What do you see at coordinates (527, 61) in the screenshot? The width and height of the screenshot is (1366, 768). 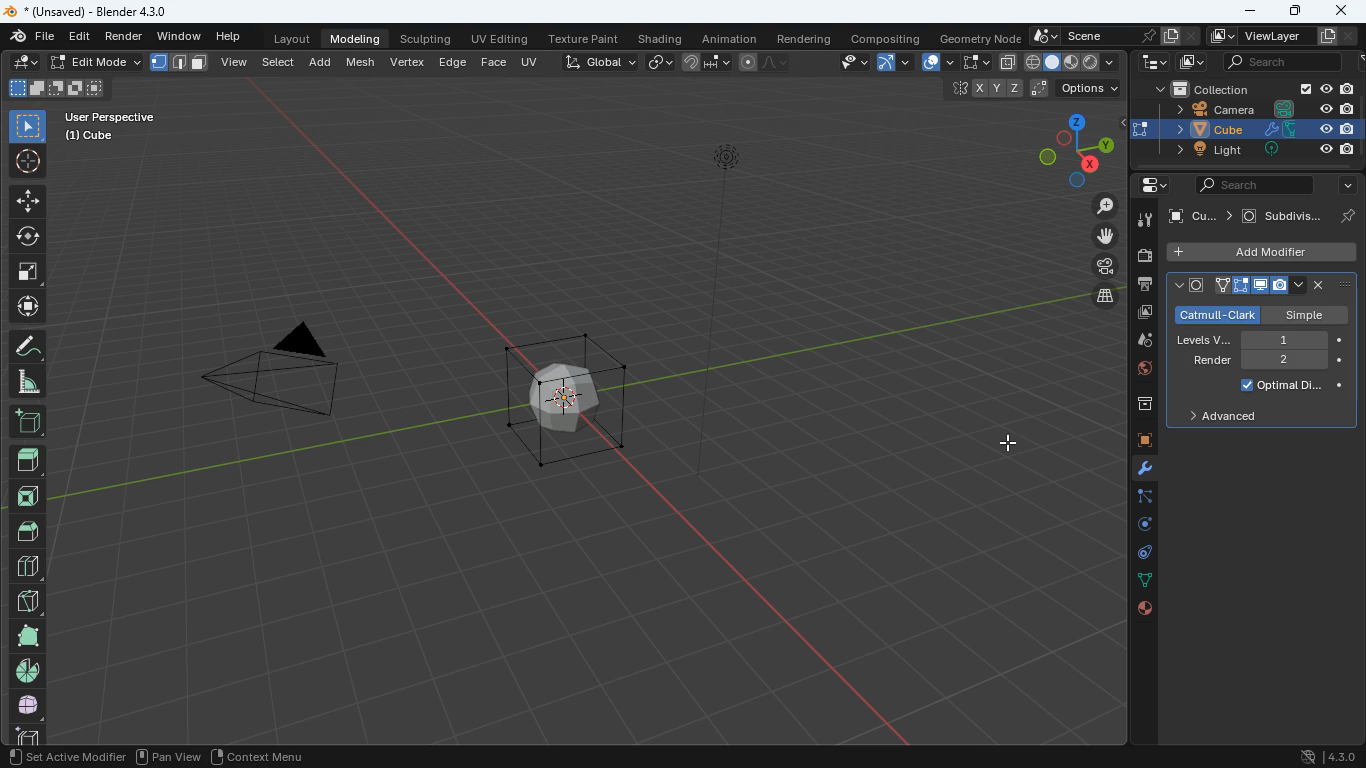 I see `uv` at bounding box center [527, 61].